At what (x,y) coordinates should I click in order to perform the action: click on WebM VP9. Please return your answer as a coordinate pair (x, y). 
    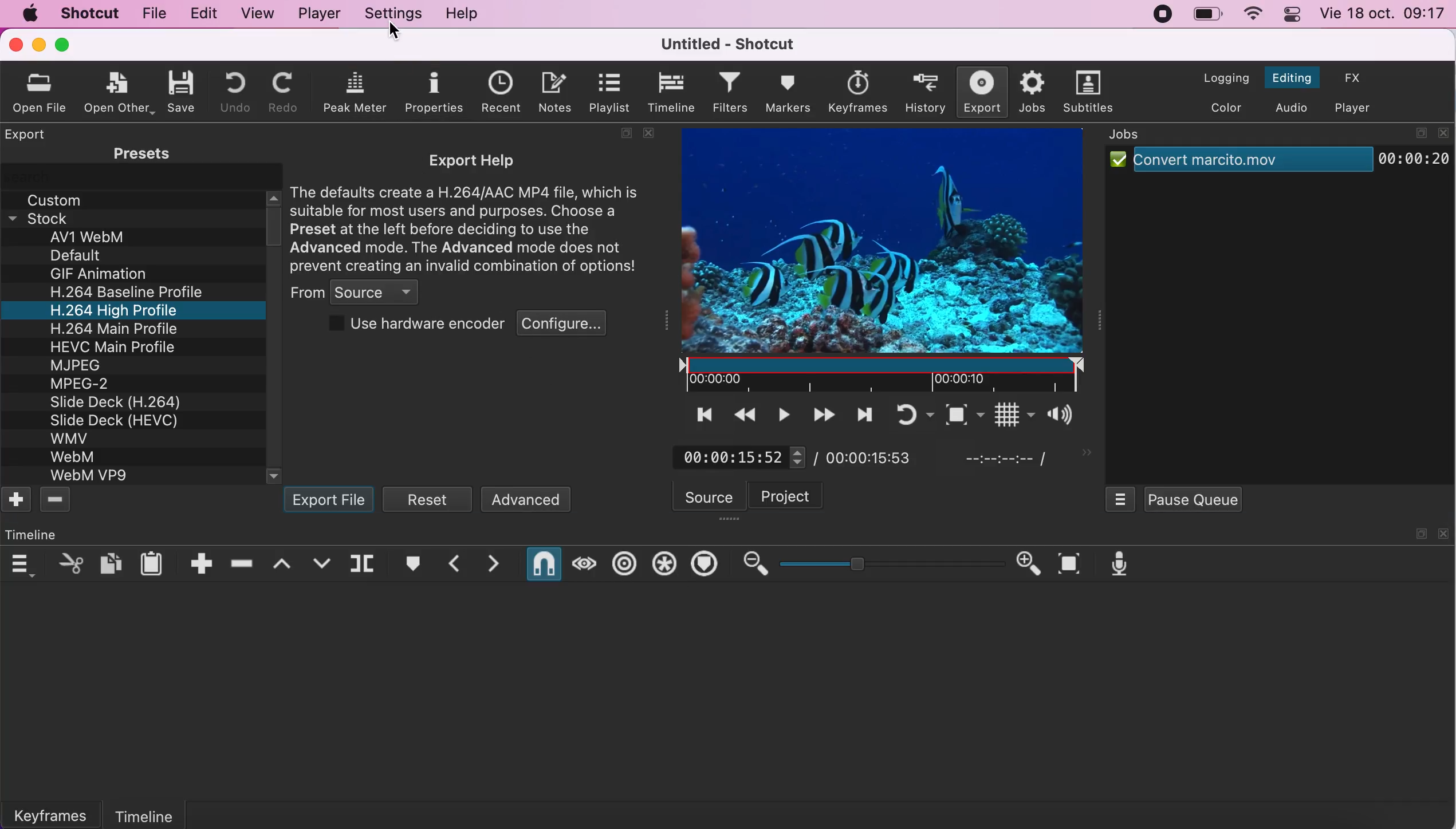
    Looking at the image, I should click on (91, 476).